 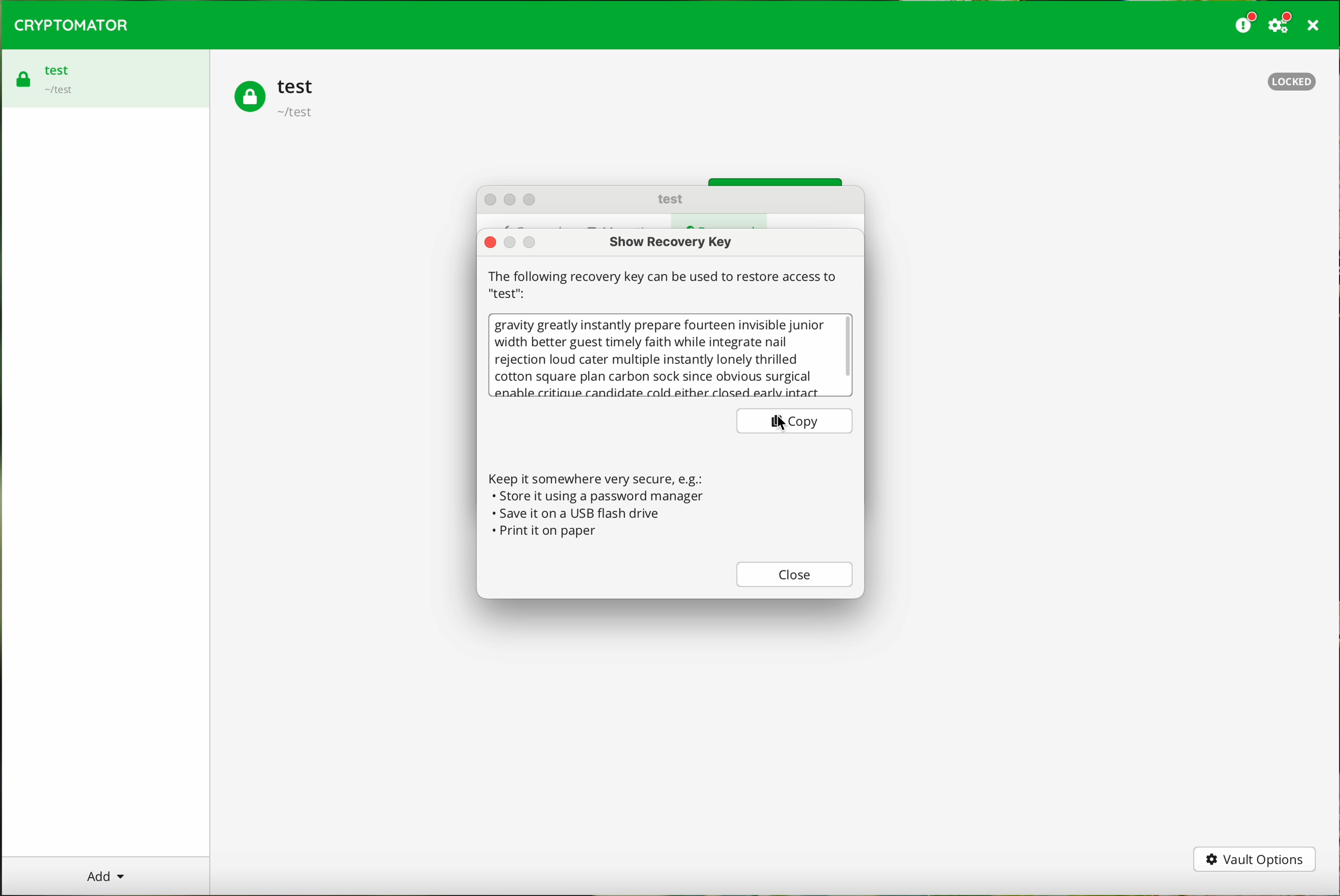 What do you see at coordinates (795, 421) in the screenshot?
I see `copy` at bounding box center [795, 421].